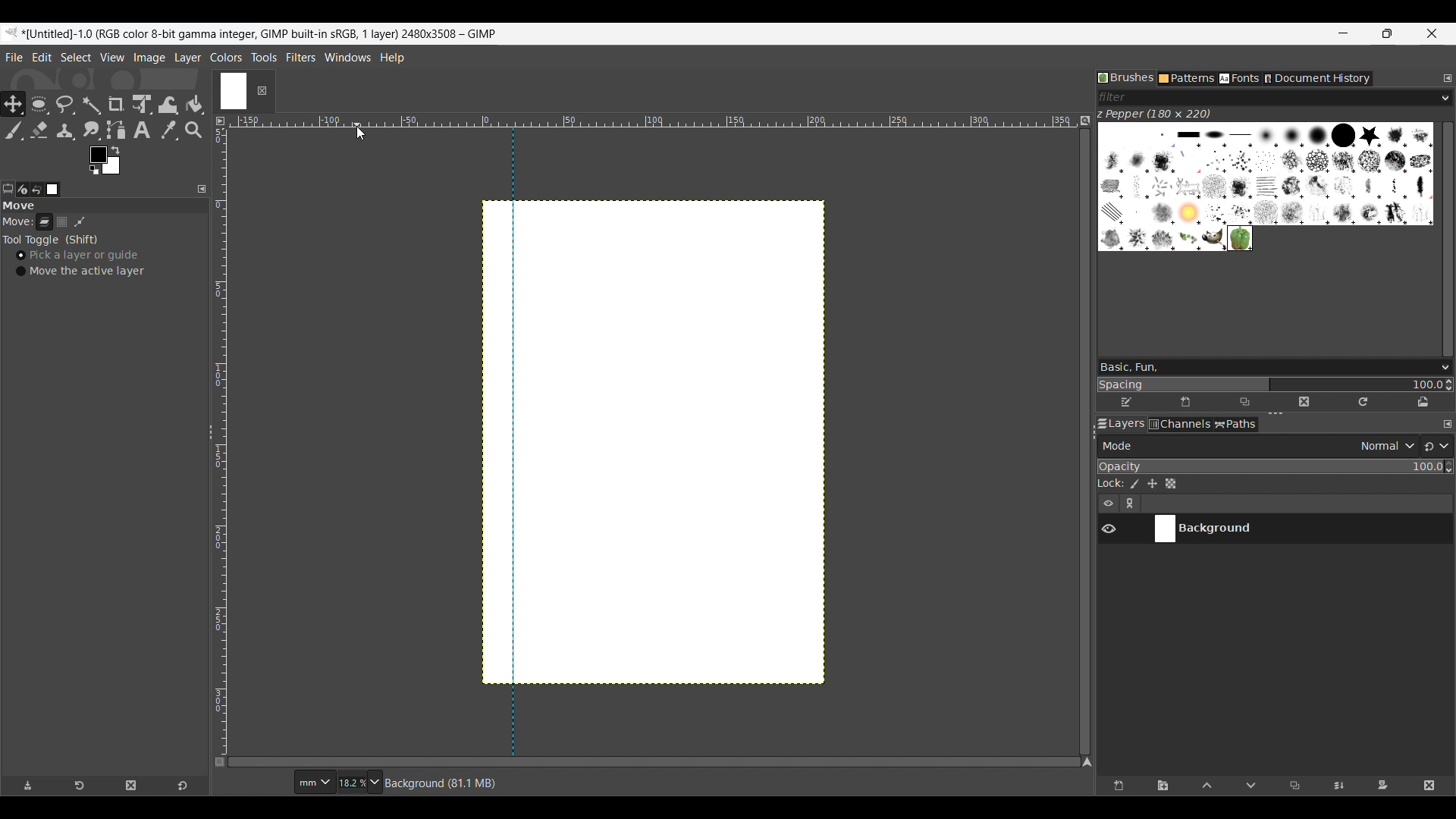  Describe the element at coordinates (117, 130) in the screenshot. I see `Paths tool` at that location.